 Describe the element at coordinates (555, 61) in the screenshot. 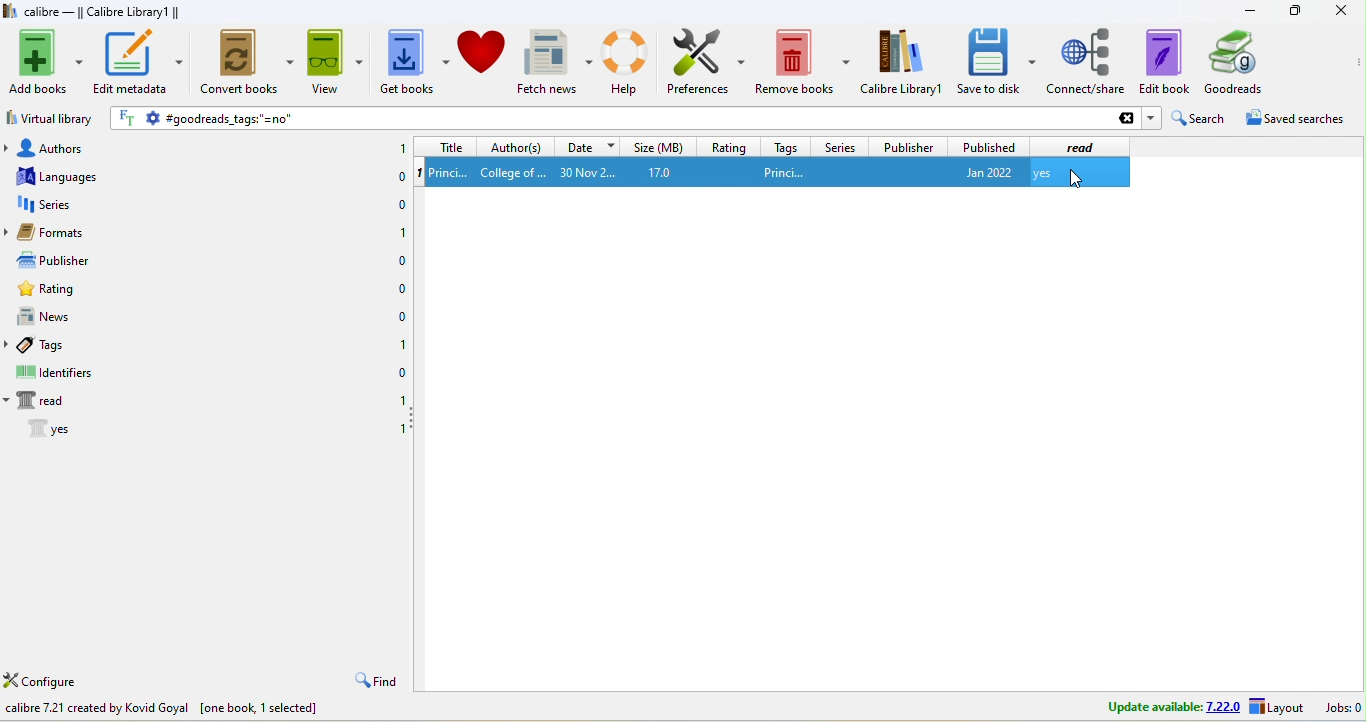

I see `fetch news` at that location.